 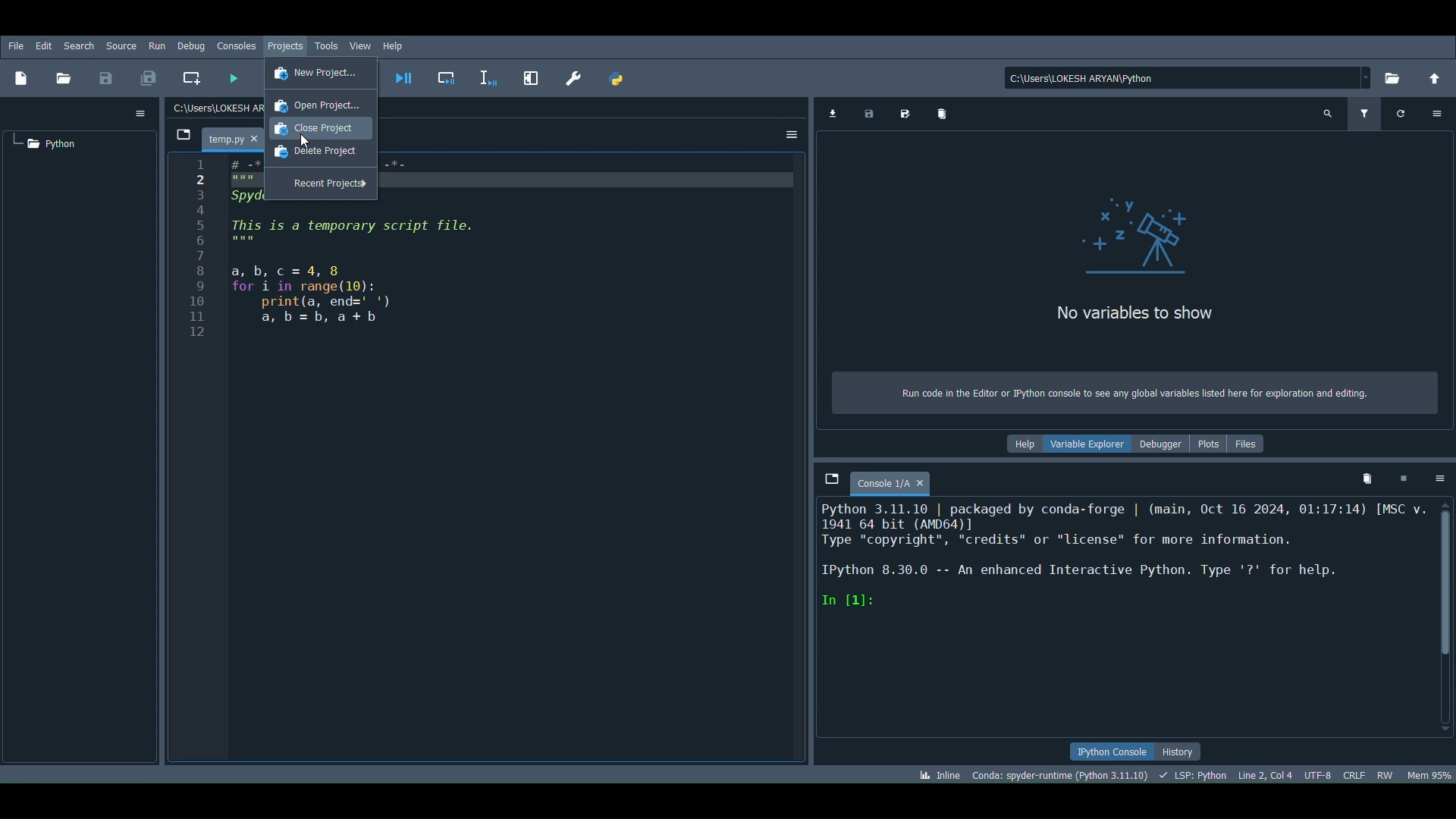 What do you see at coordinates (1131, 313) in the screenshot?
I see `No variables to show` at bounding box center [1131, 313].